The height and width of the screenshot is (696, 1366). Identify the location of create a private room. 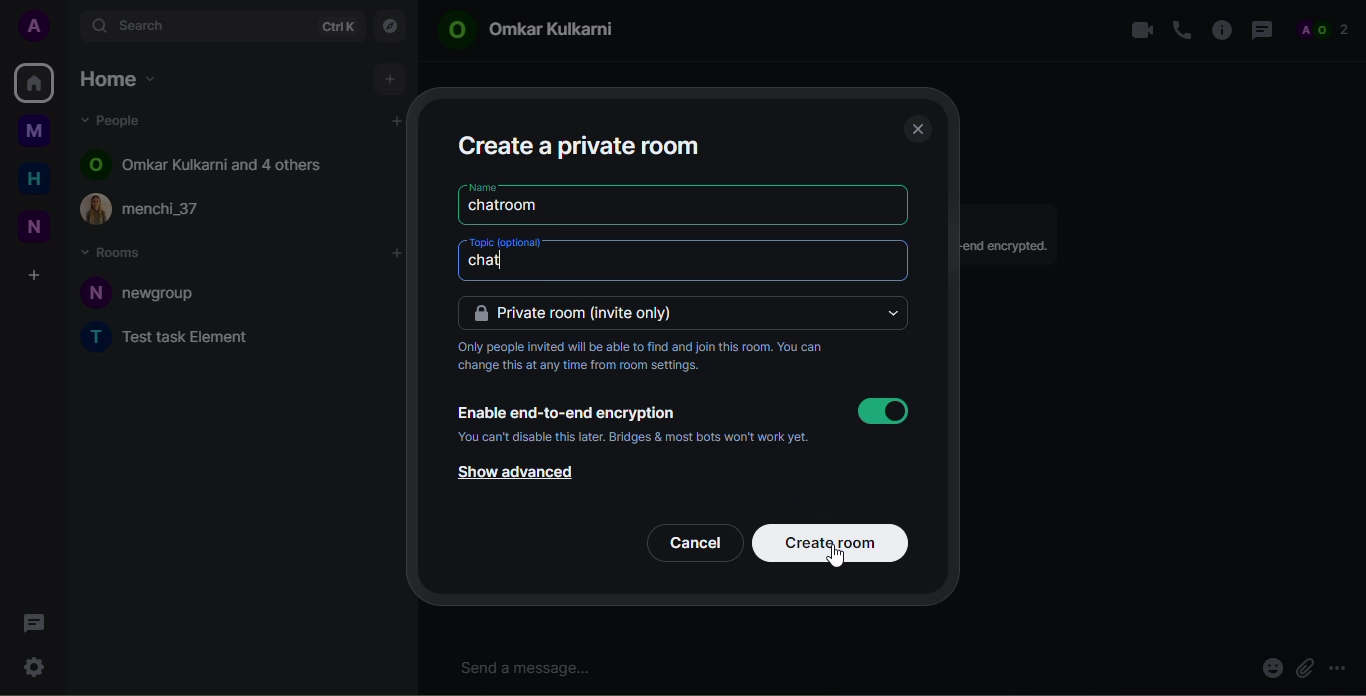
(582, 144).